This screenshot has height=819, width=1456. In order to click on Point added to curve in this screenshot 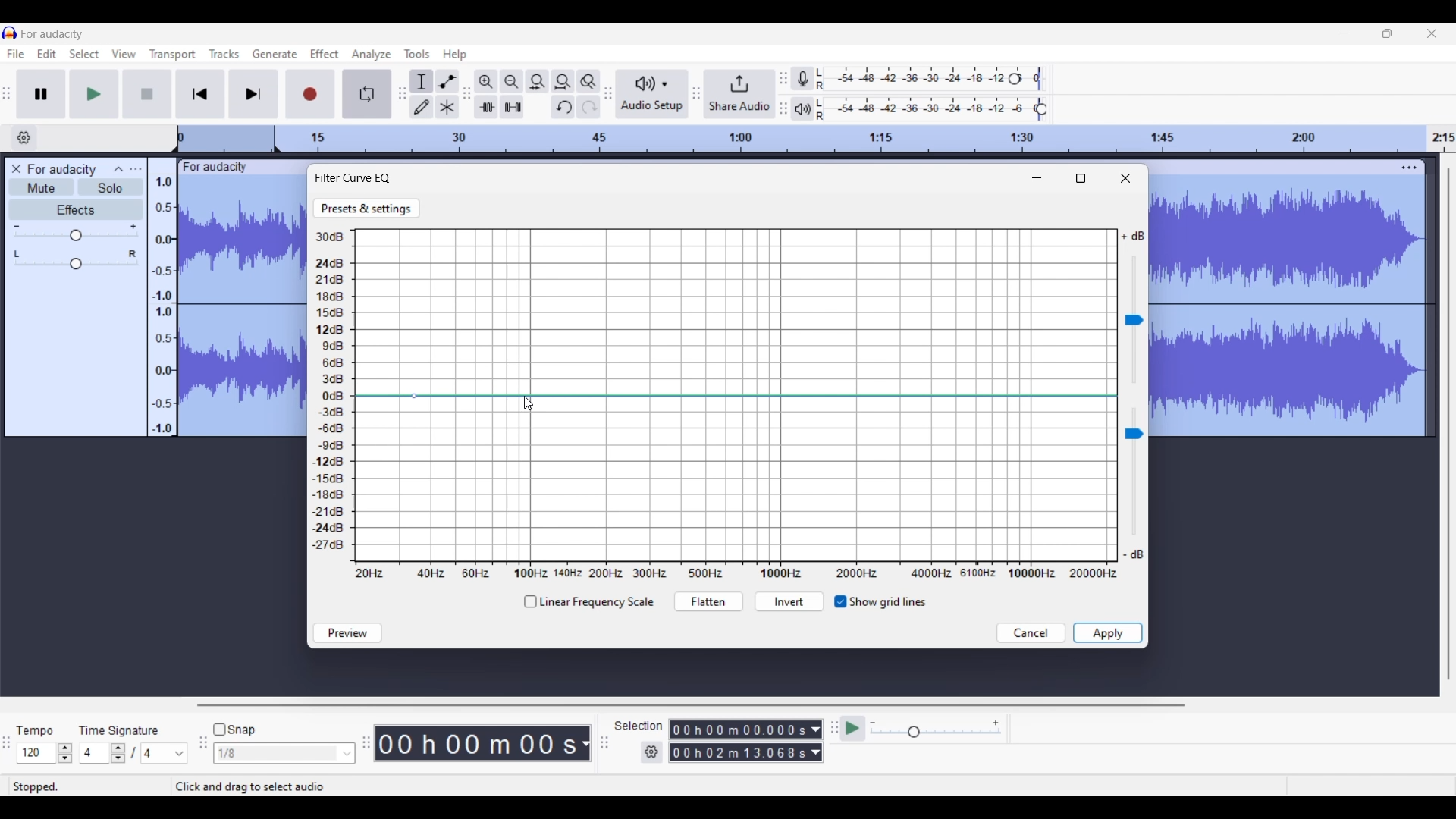, I will do `click(414, 397)`.